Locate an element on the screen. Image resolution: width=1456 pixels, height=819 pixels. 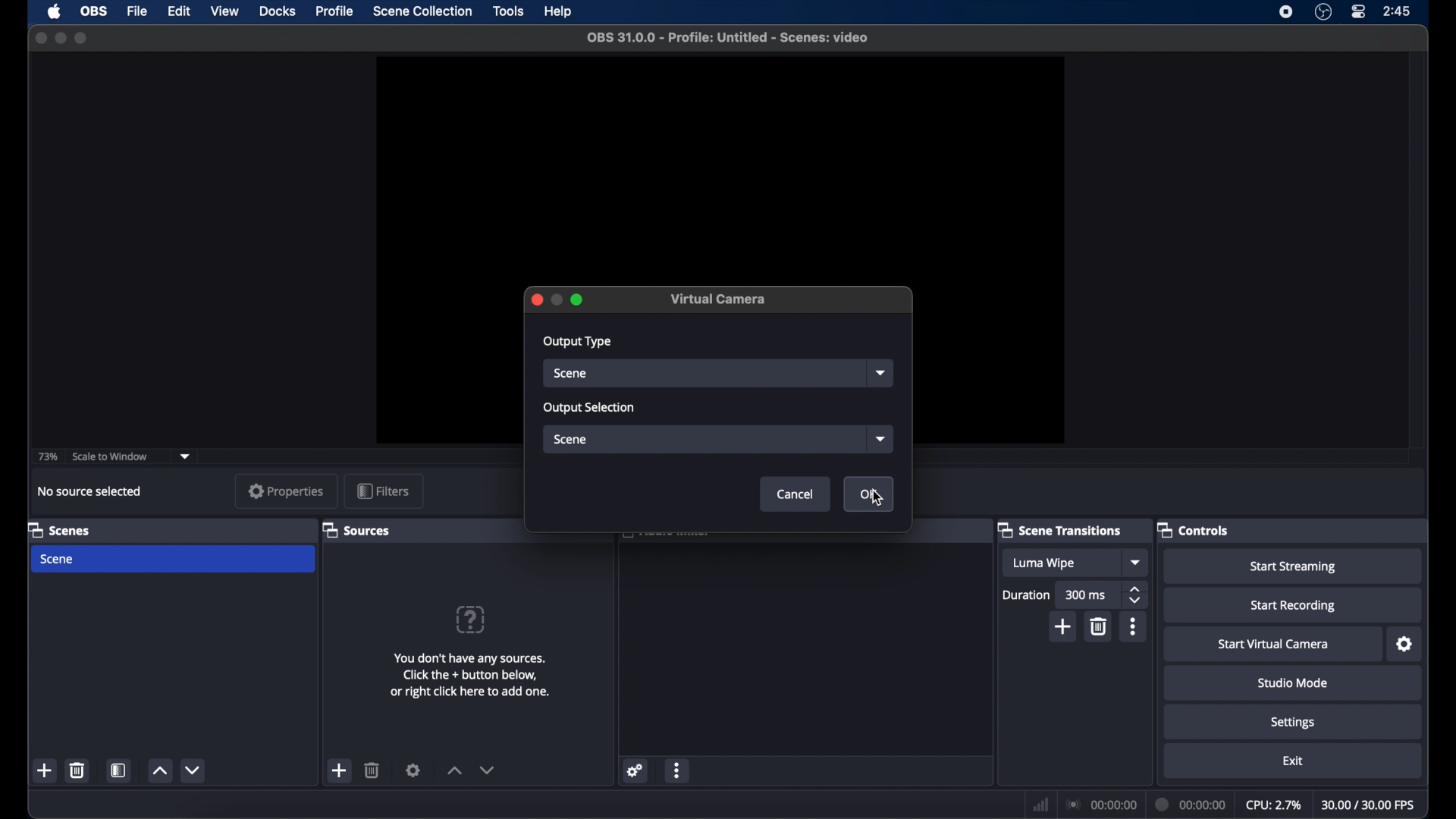
sources is located at coordinates (356, 530).